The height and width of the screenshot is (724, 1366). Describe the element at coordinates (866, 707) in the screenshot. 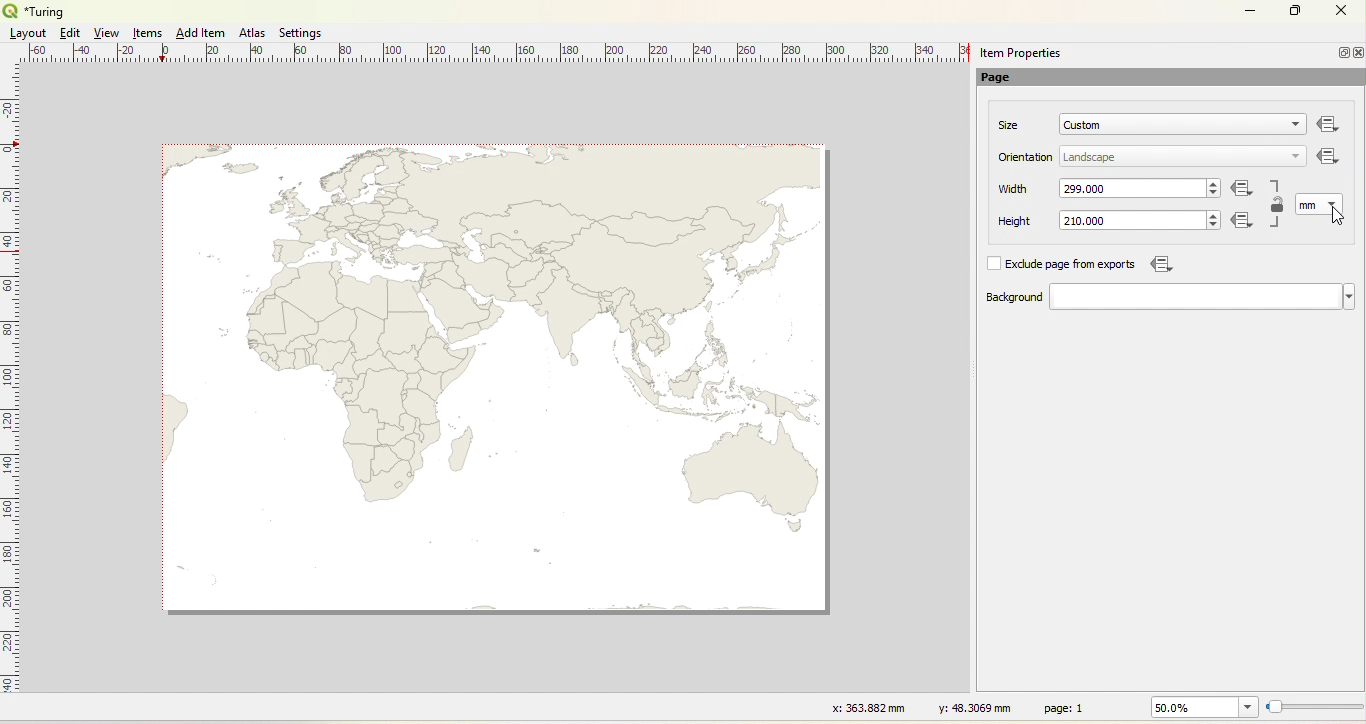

I see `x: 363.882 mm` at that location.